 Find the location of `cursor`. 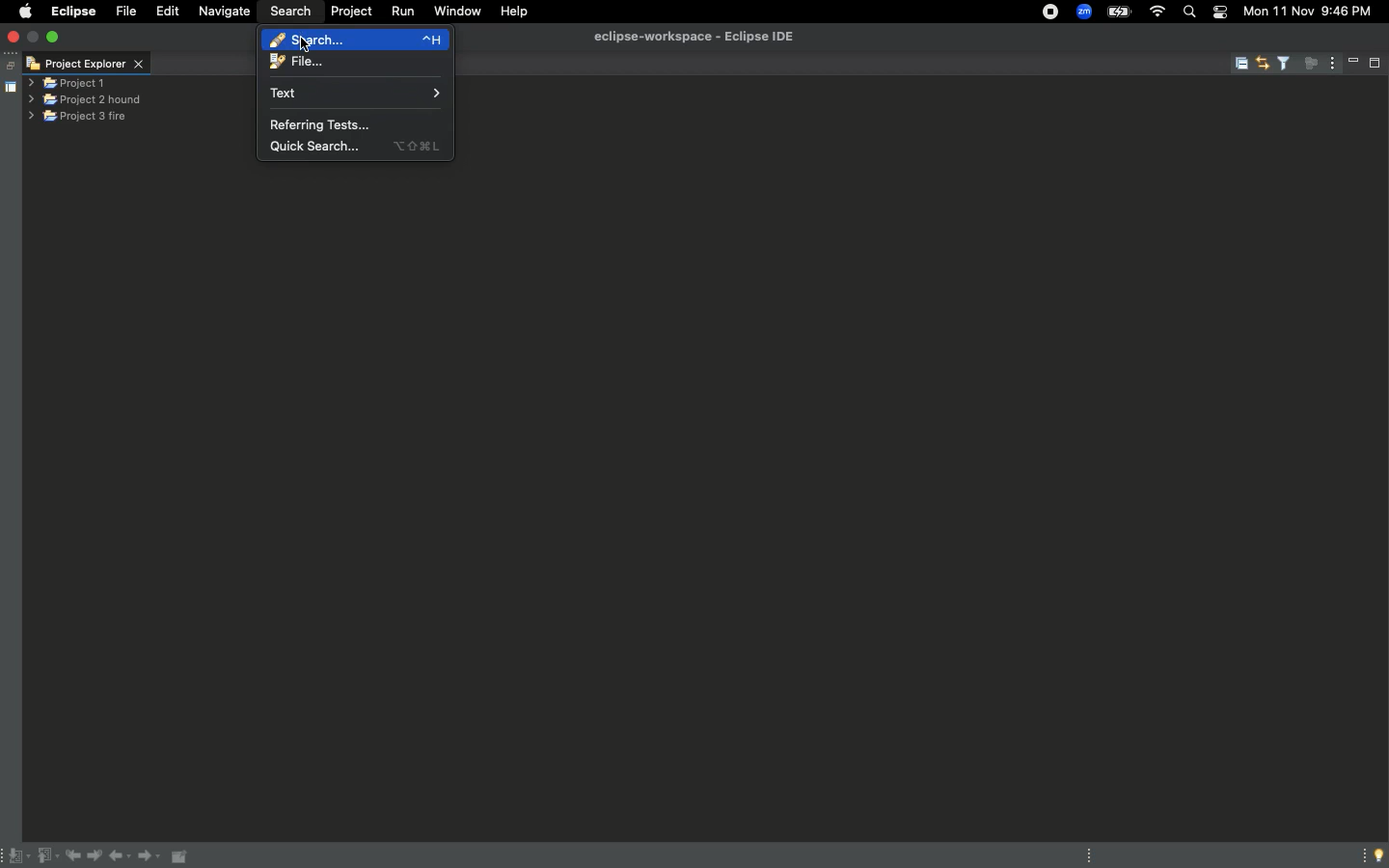

cursor is located at coordinates (313, 46).